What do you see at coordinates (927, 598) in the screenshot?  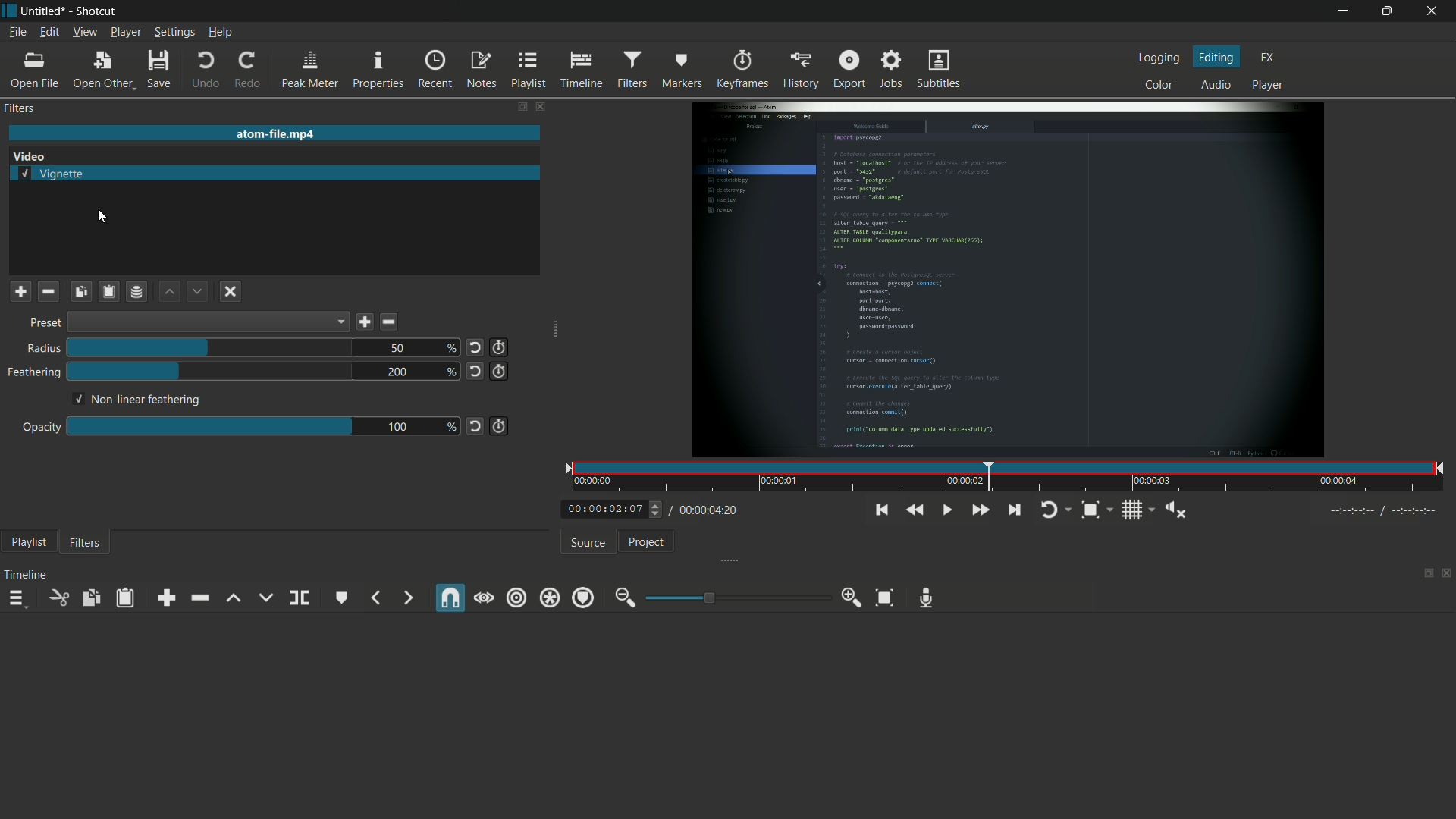 I see `record audio` at bounding box center [927, 598].